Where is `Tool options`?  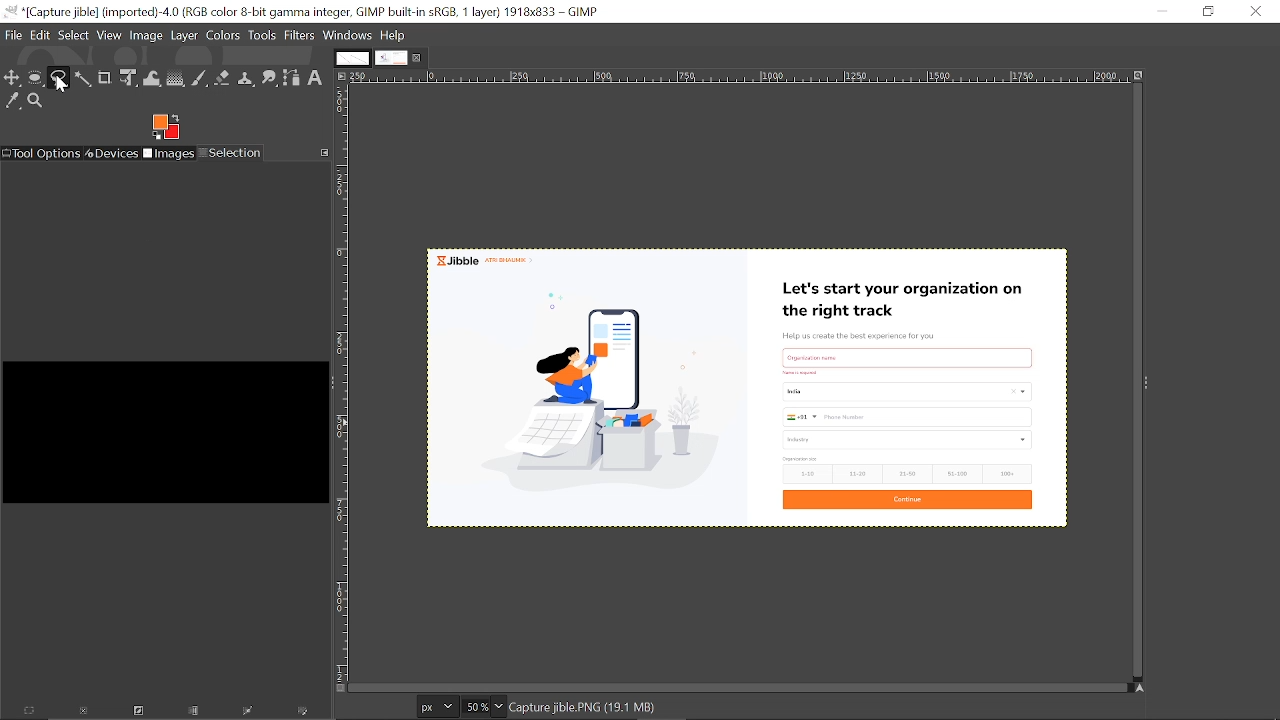 Tool options is located at coordinates (42, 153).